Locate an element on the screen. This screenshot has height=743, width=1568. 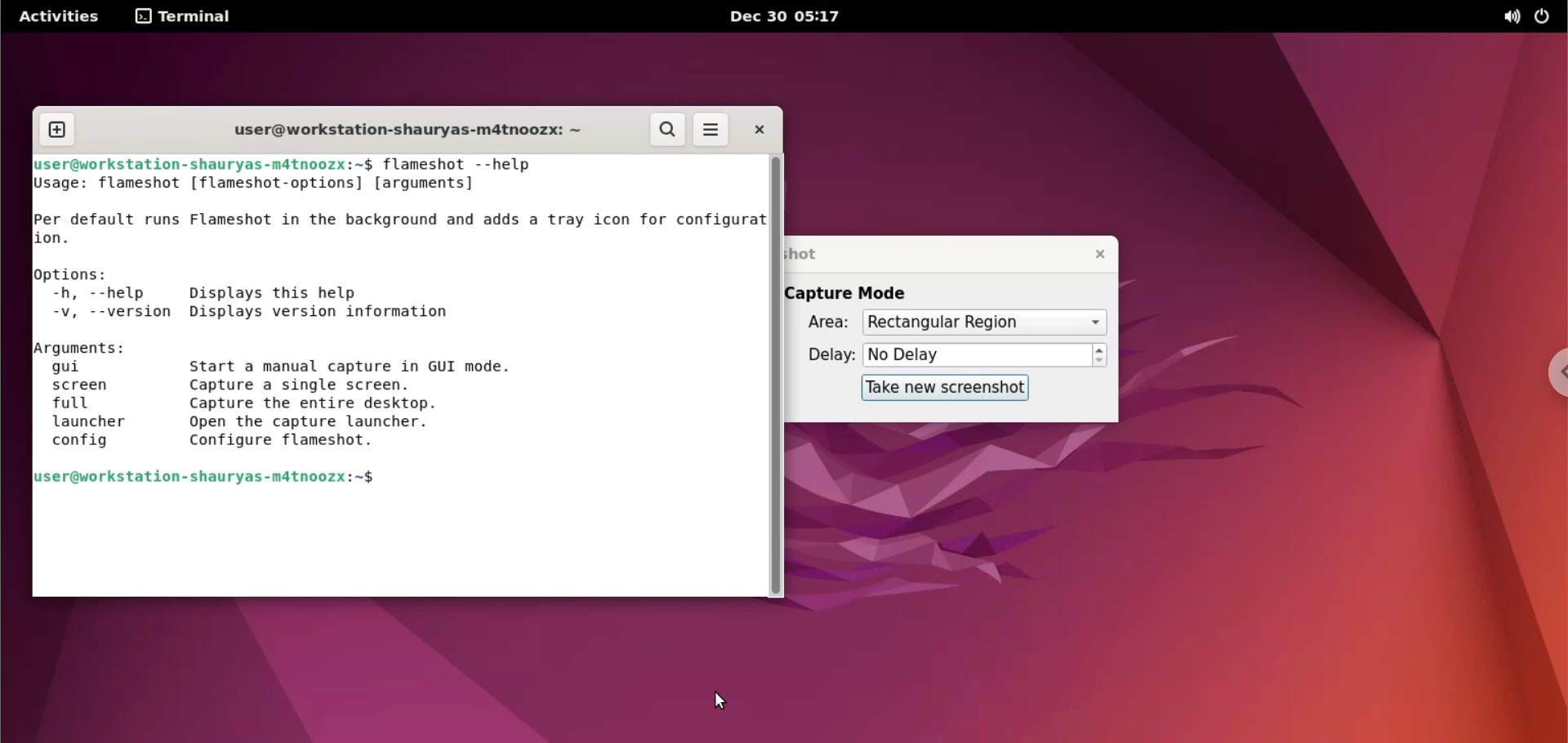
area: is located at coordinates (824, 323).